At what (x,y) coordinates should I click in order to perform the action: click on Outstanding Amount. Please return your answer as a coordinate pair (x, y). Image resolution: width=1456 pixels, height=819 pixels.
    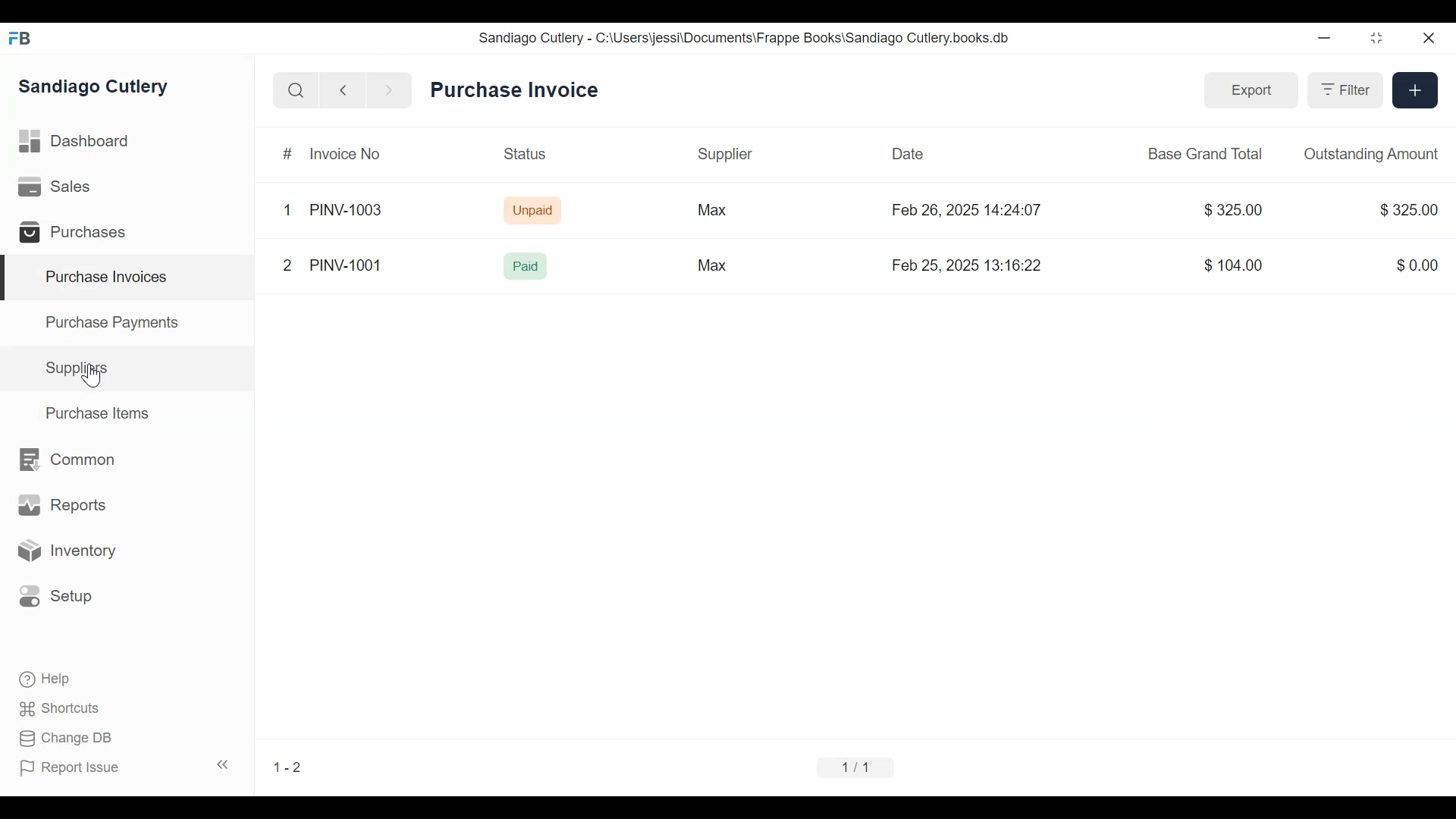
    Looking at the image, I should click on (1365, 154).